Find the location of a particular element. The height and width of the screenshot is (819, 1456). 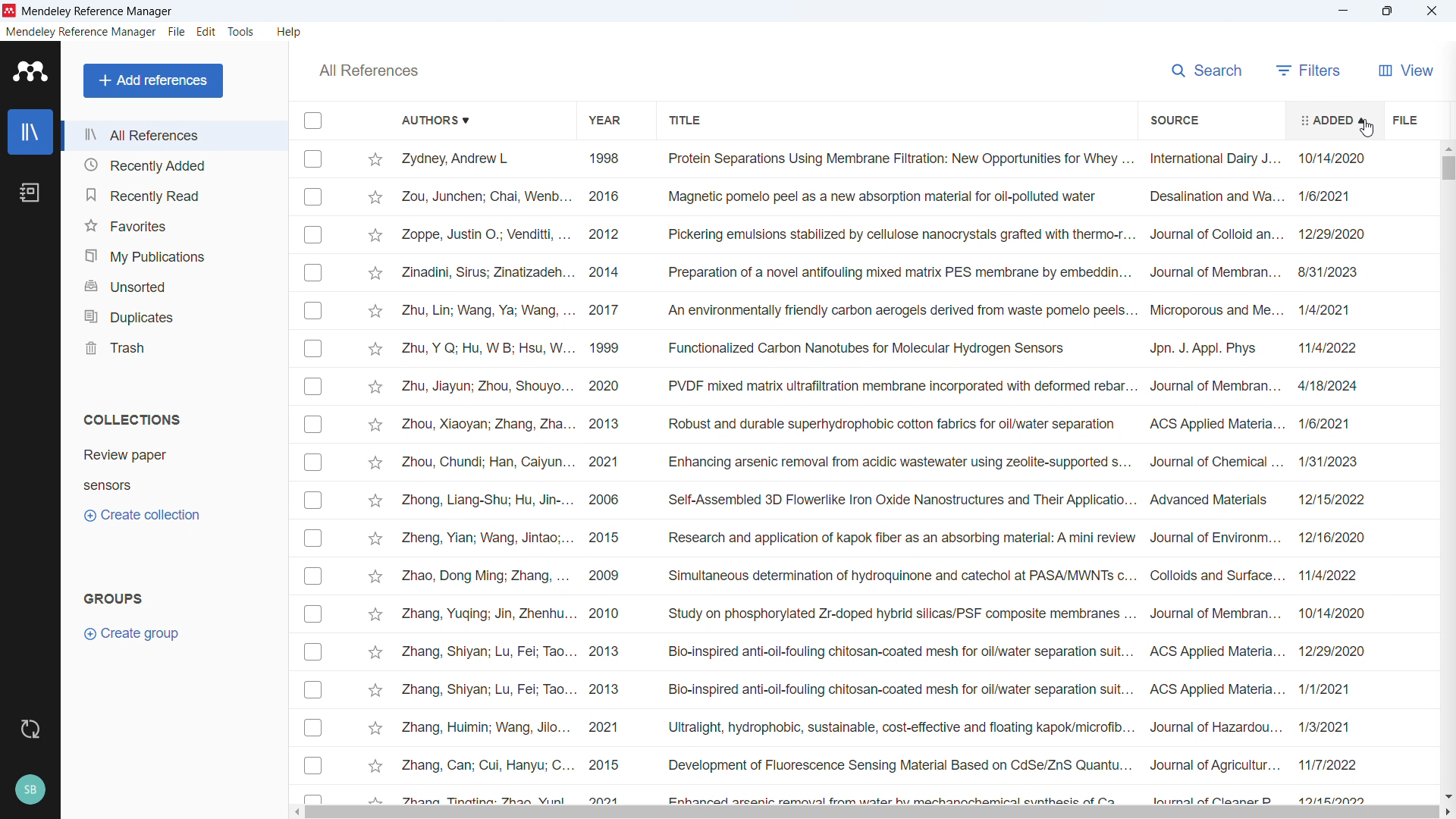

minimise  is located at coordinates (1342, 11).